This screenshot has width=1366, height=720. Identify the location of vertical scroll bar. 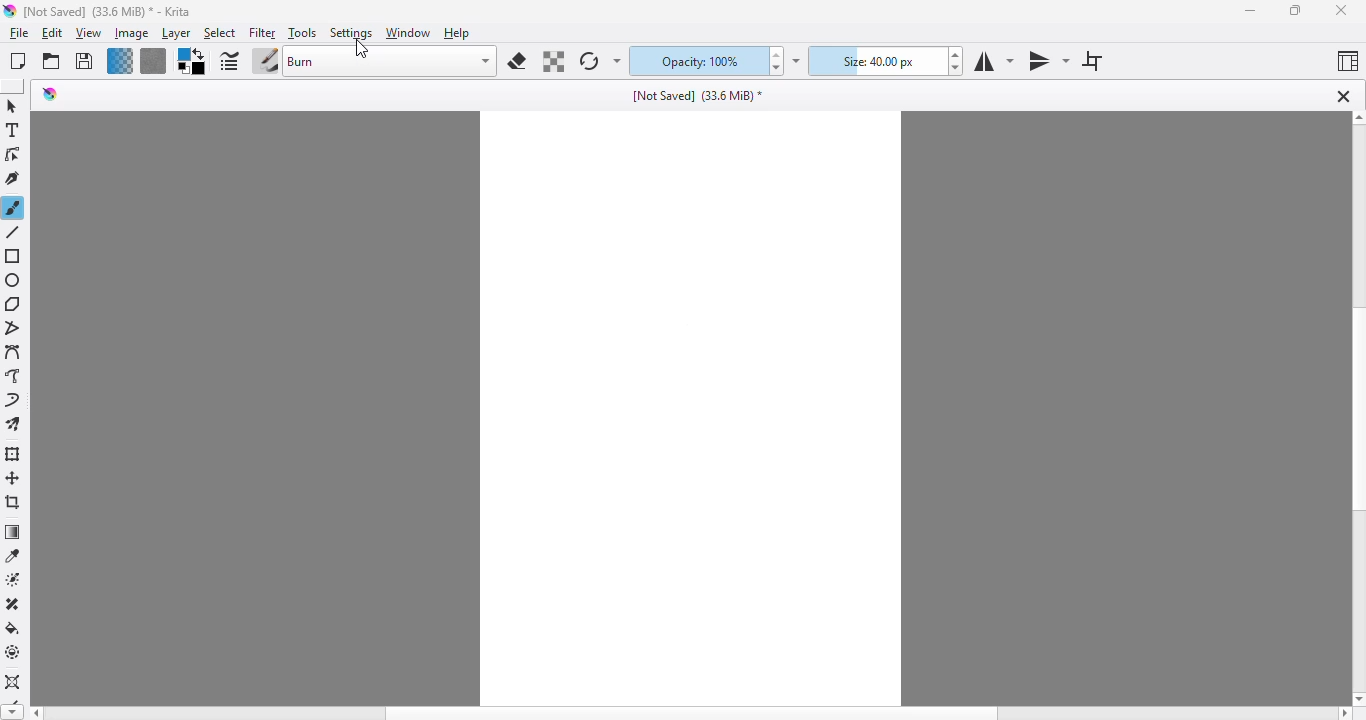
(1357, 410).